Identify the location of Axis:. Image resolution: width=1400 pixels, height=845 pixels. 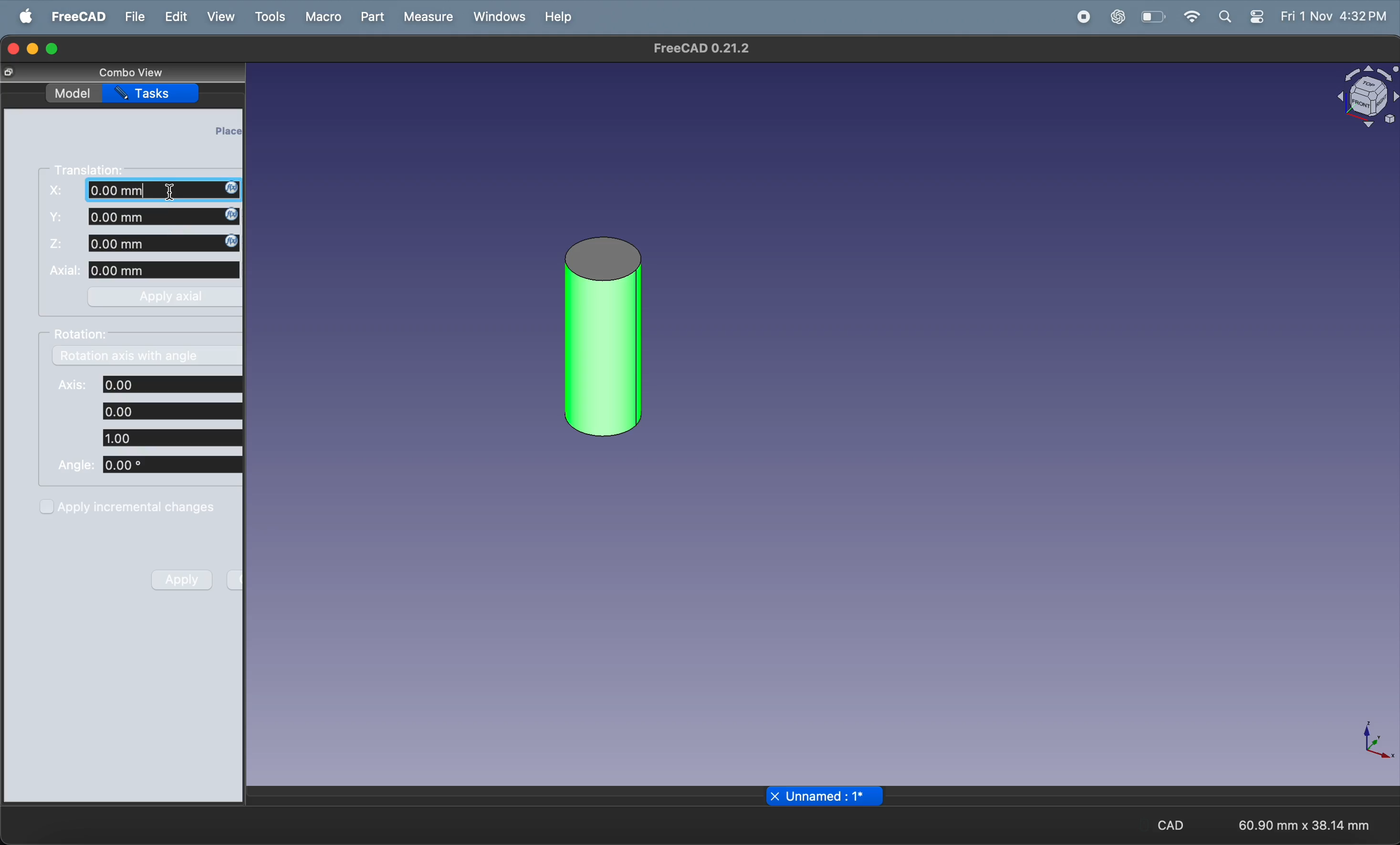
(69, 386).